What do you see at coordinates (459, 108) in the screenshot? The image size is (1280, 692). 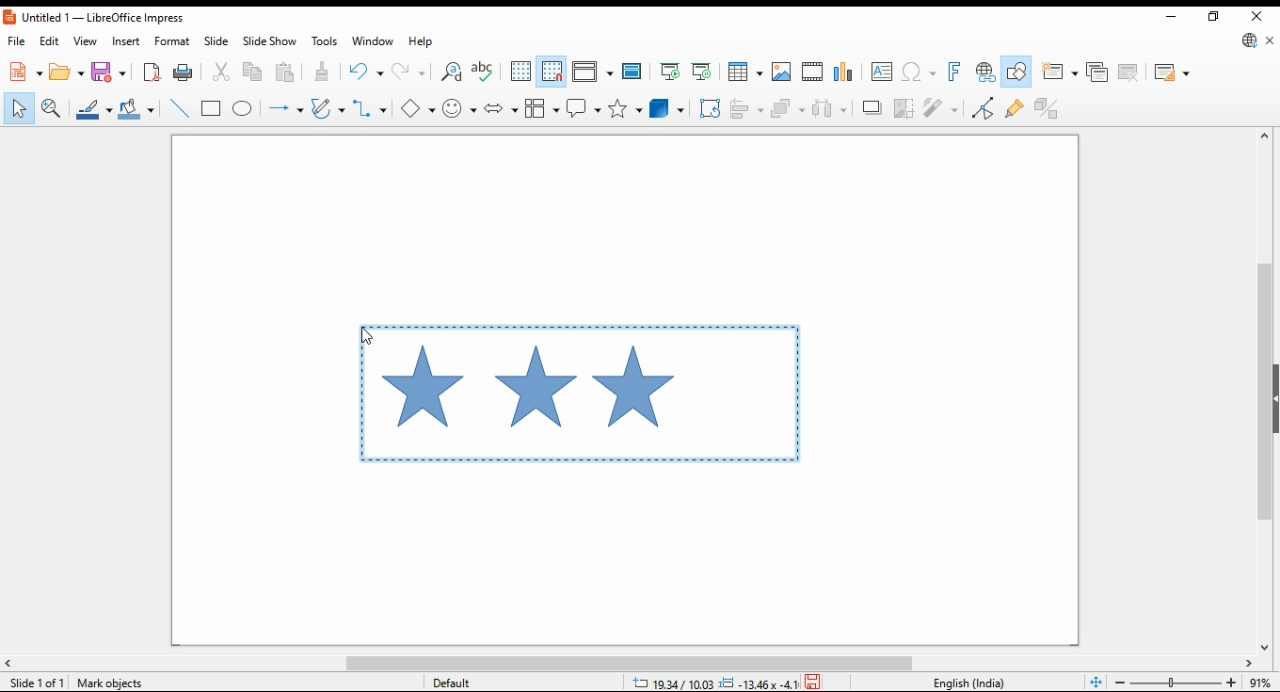 I see `symbol shapes` at bounding box center [459, 108].